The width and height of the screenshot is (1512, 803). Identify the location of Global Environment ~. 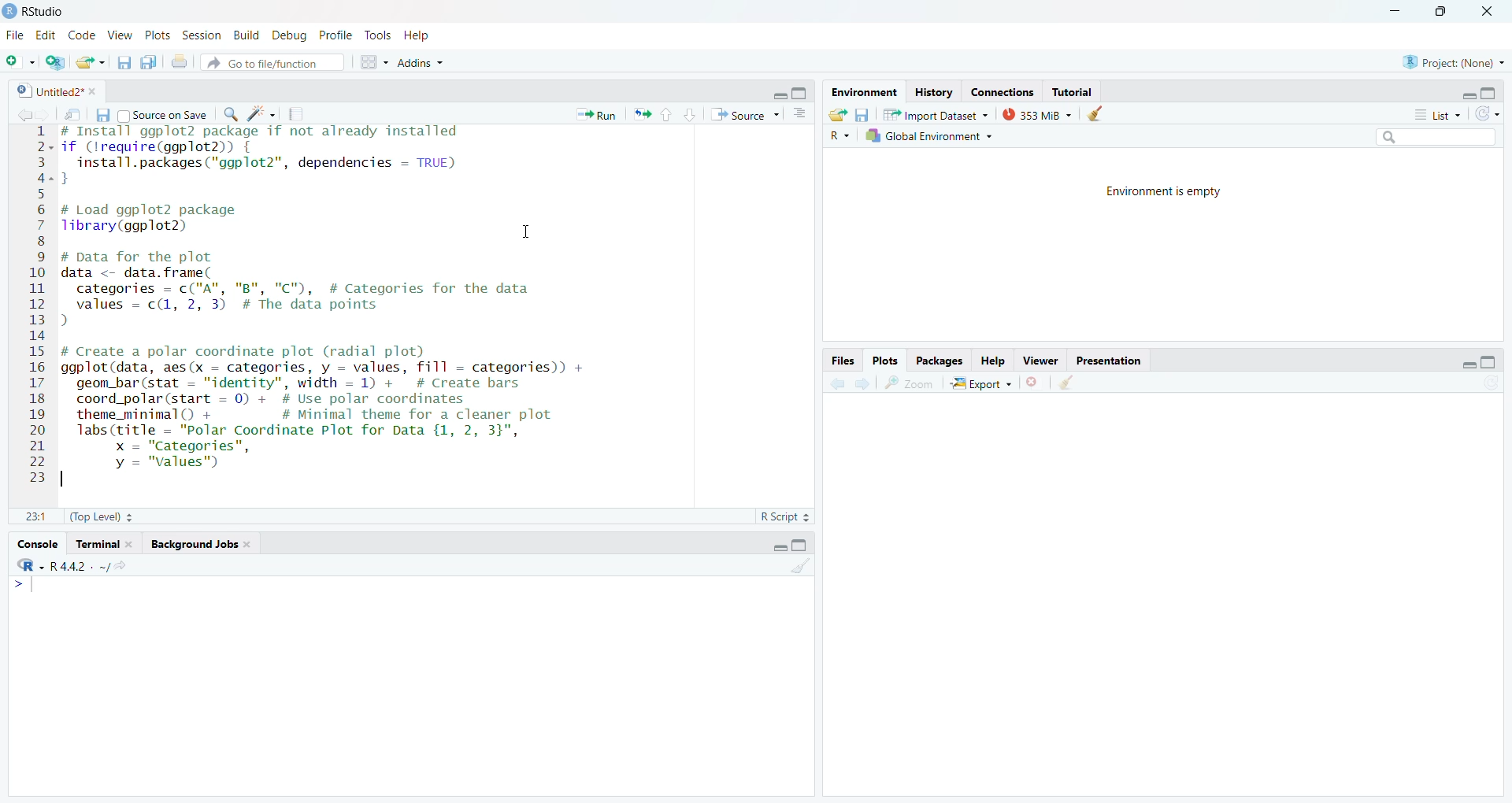
(934, 139).